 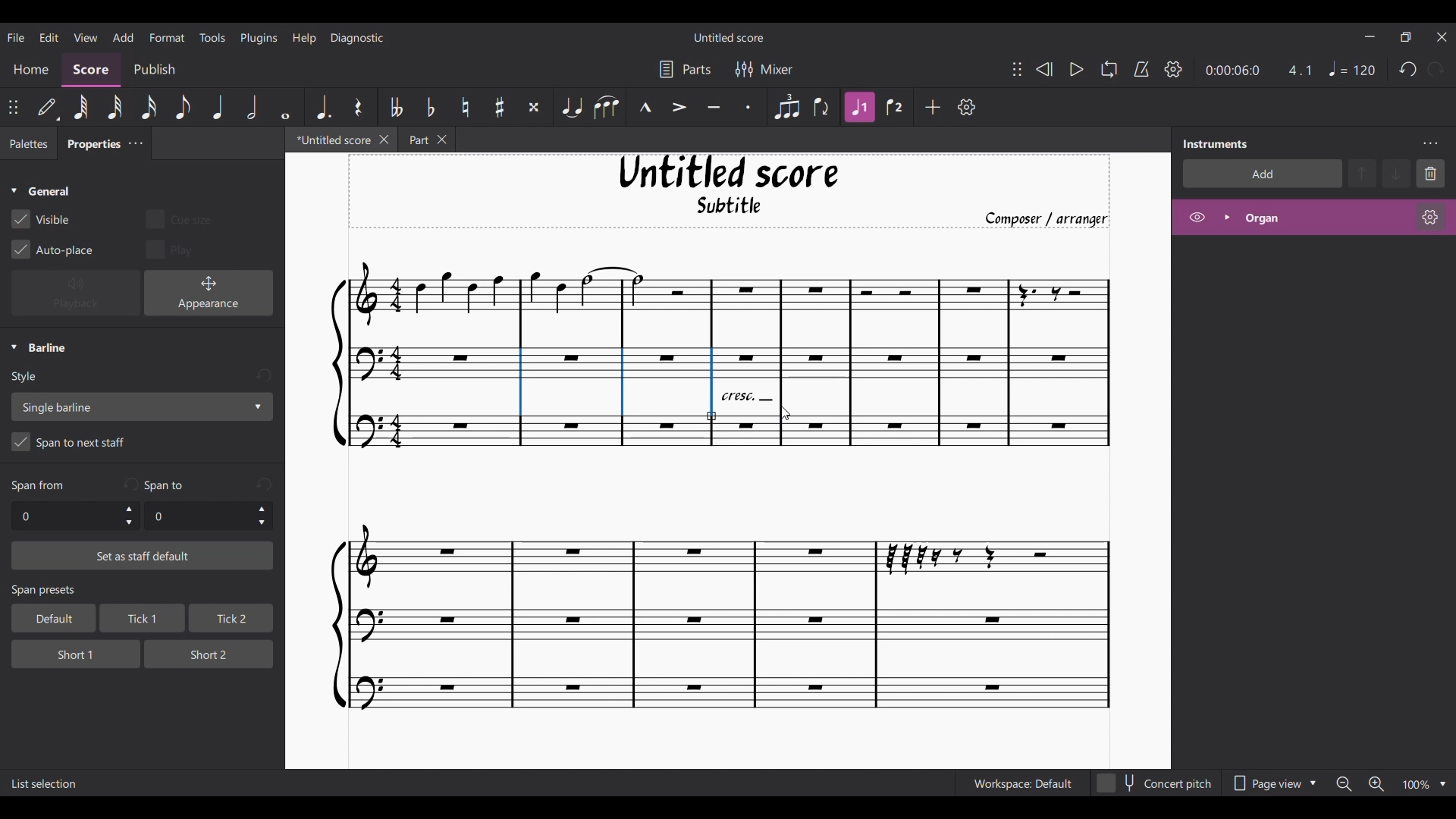 I want to click on Cursor clicking on Barline, so click(x=785, y=413).